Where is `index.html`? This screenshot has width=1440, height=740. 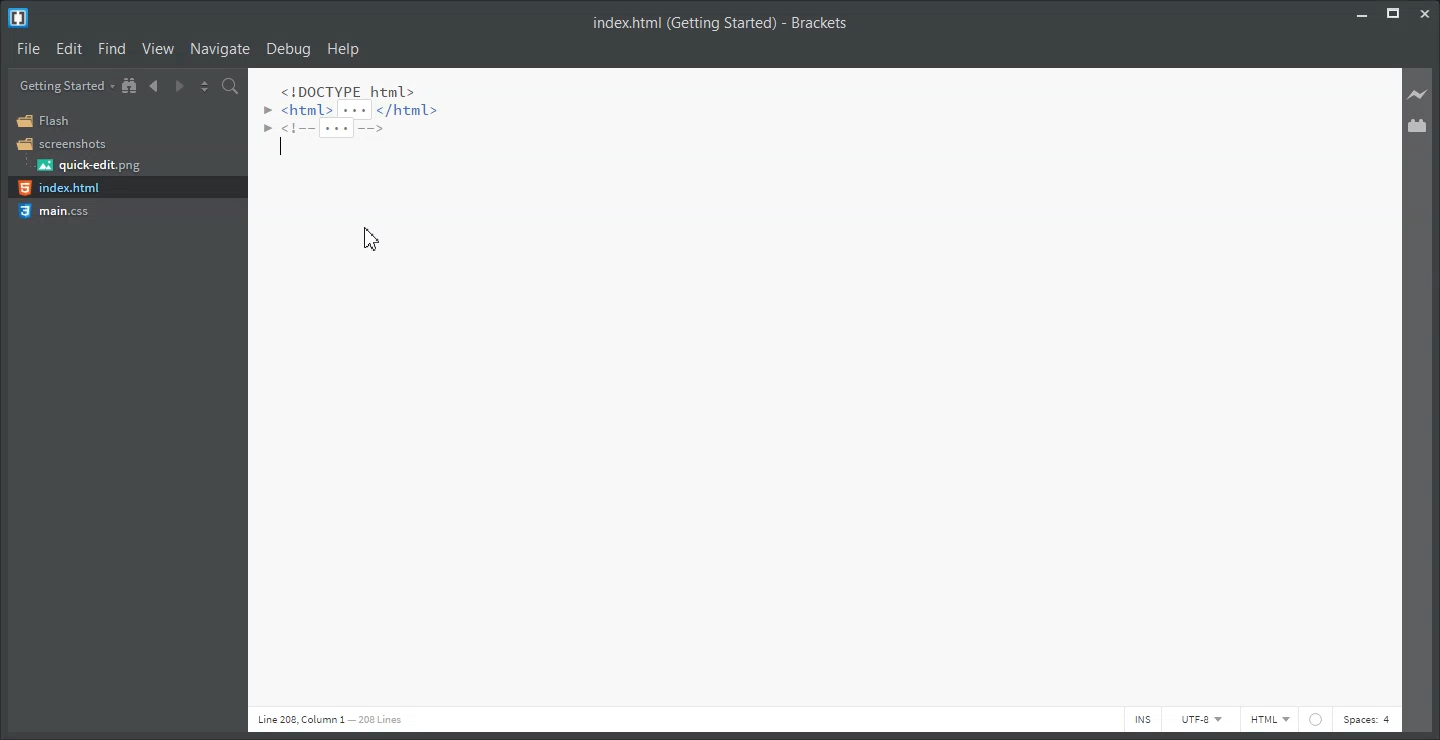
index.html is located at coordinates (59, 187).